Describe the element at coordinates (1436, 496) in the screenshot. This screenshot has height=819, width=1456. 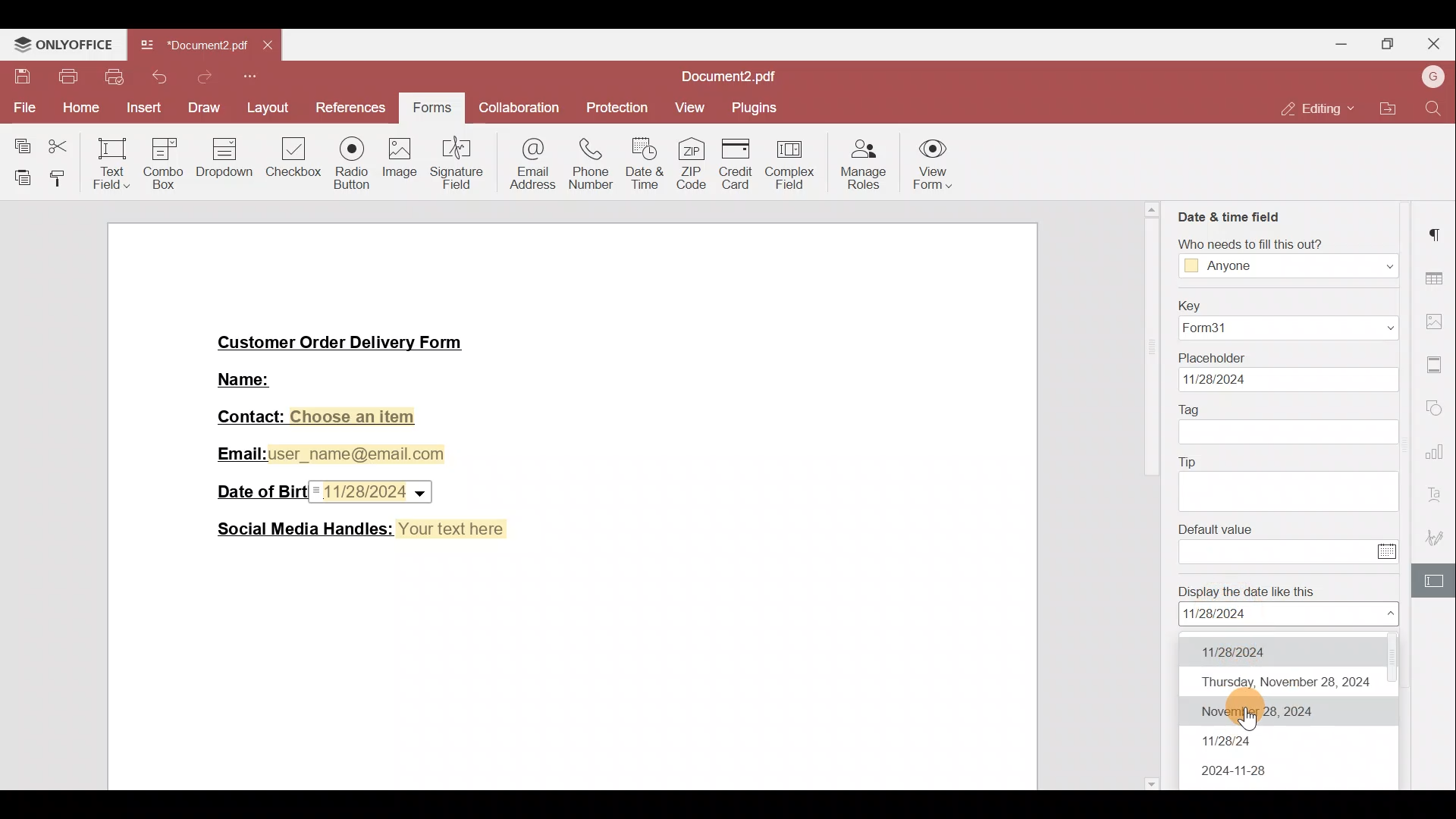
I see `Font settings` at that location.